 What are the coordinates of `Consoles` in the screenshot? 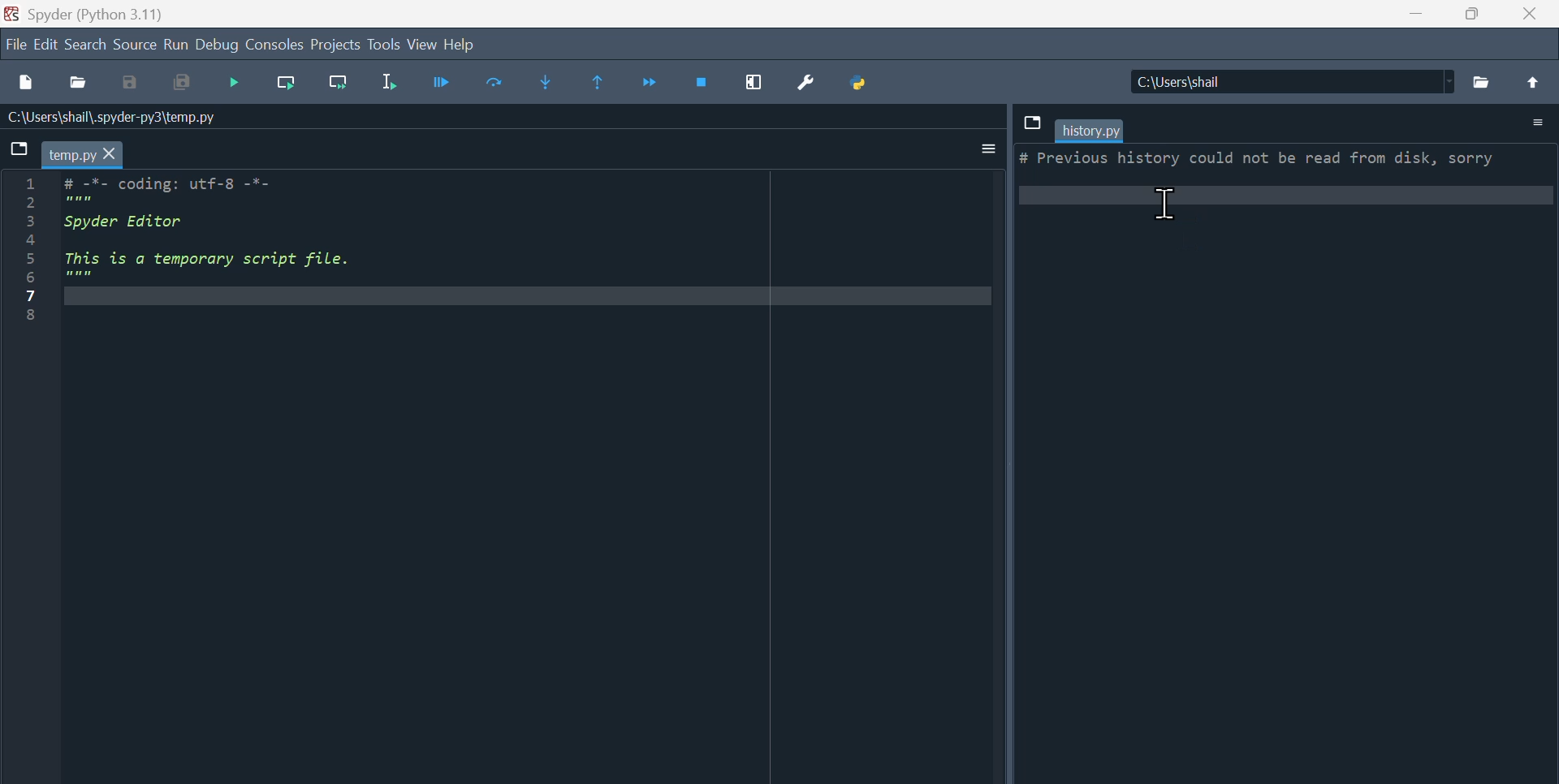 It's located at (274, 46).